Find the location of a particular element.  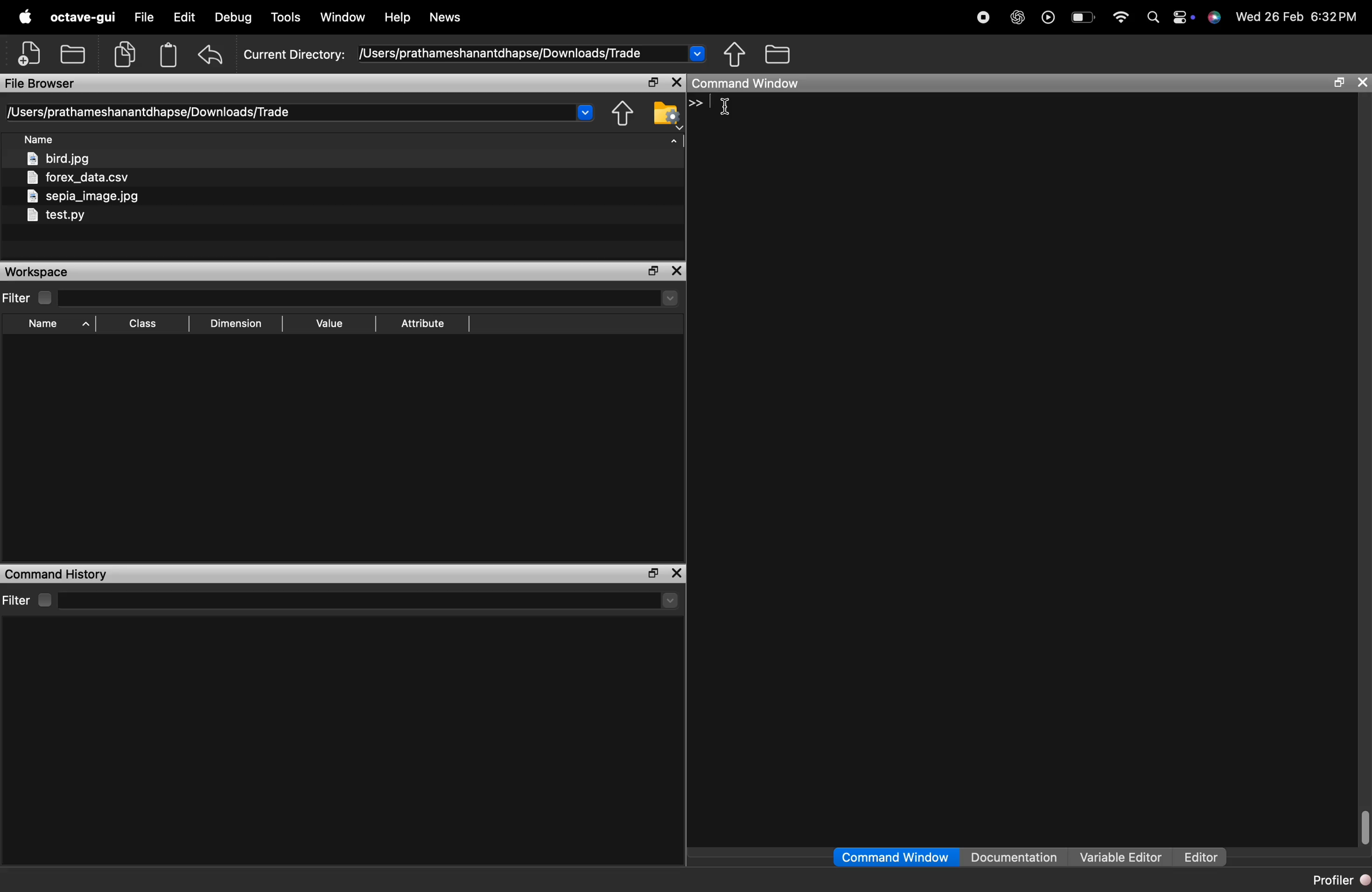

editor is located at coordinates (1200, 858).